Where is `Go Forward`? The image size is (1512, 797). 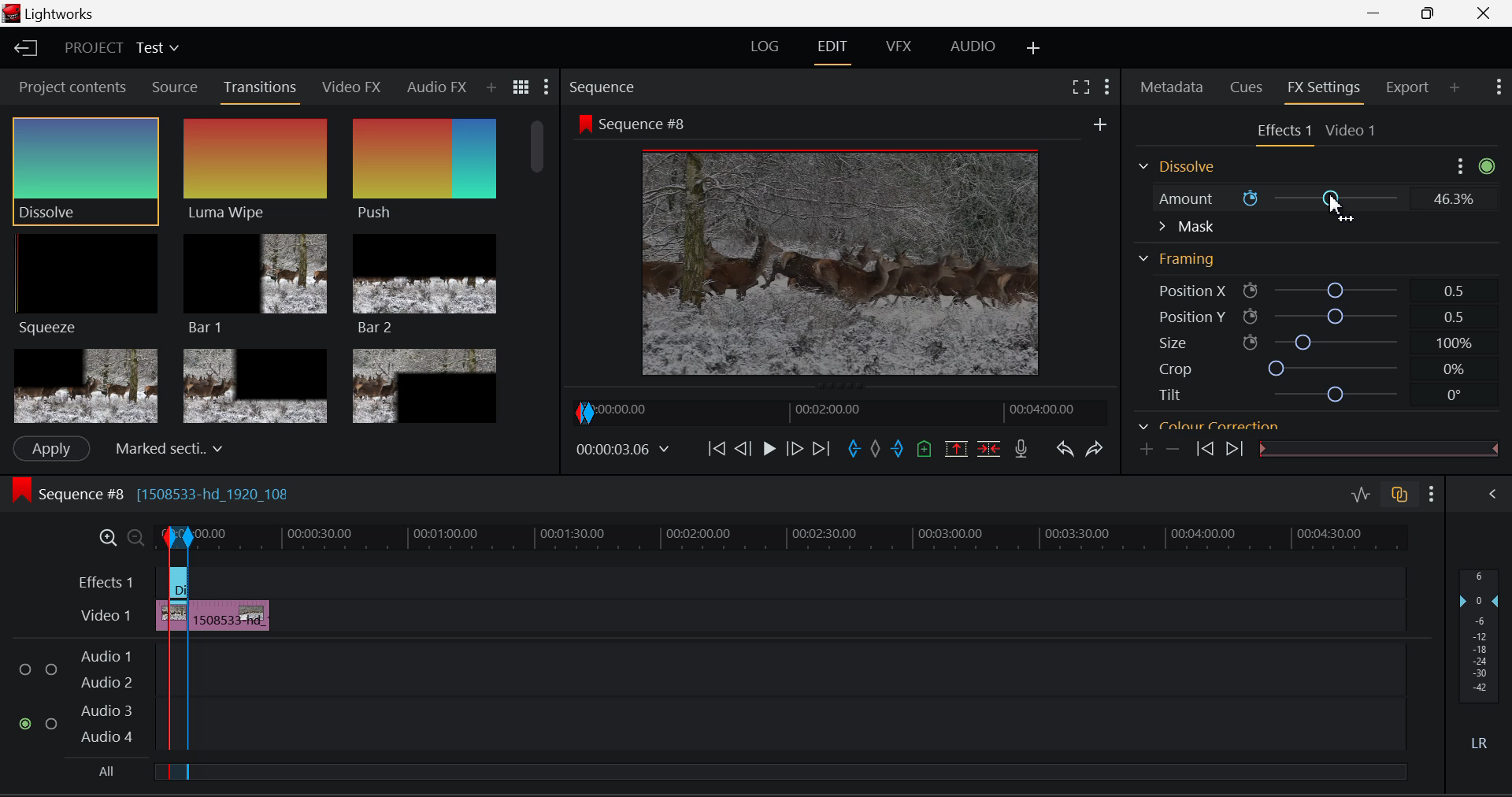
Go Forward is located at coordinates (795, 450).